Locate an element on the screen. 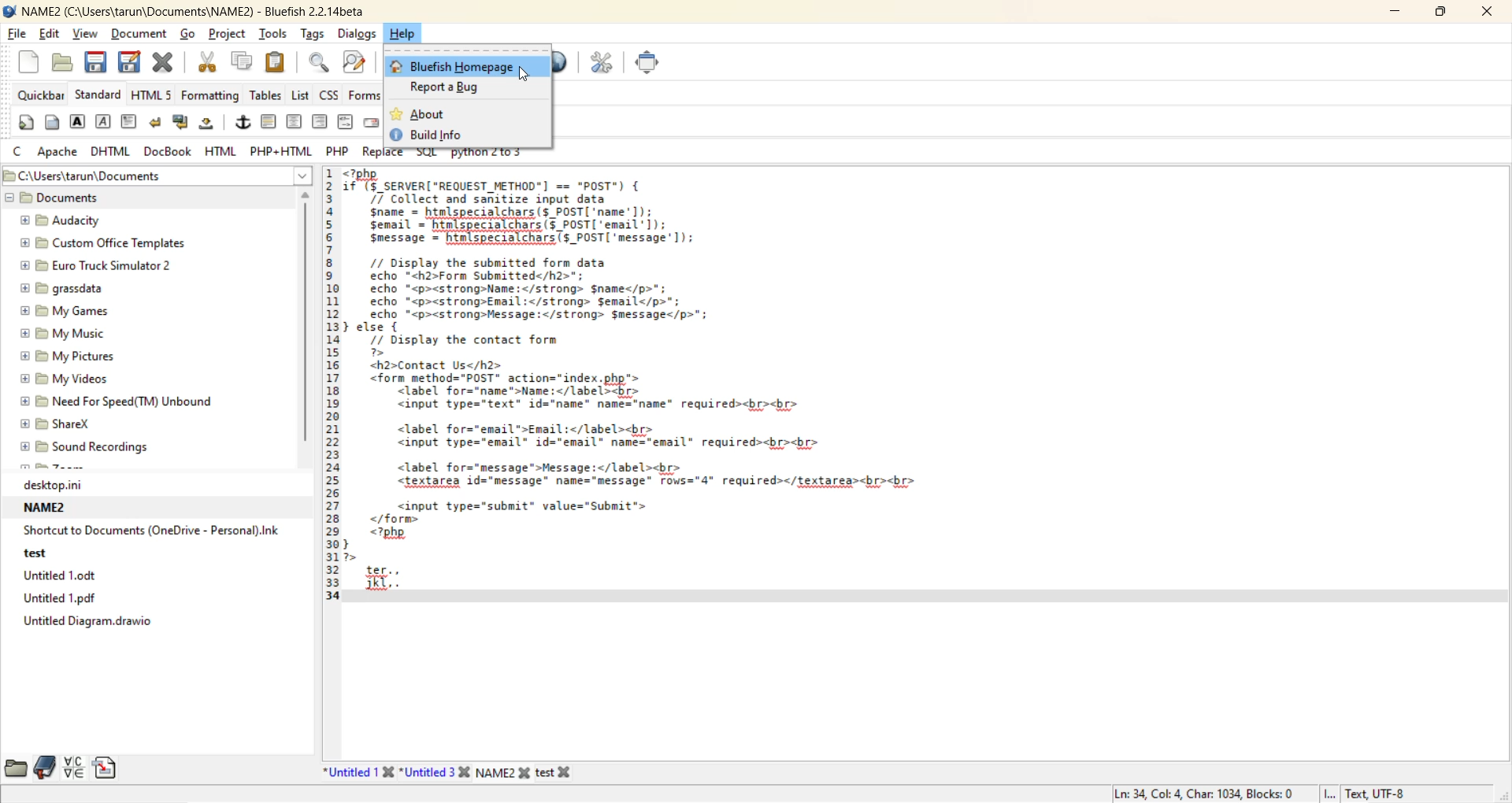 Image resolution: width=1512 pixels, height=803 pixels. report a bug is located at coordinates (454, 87).